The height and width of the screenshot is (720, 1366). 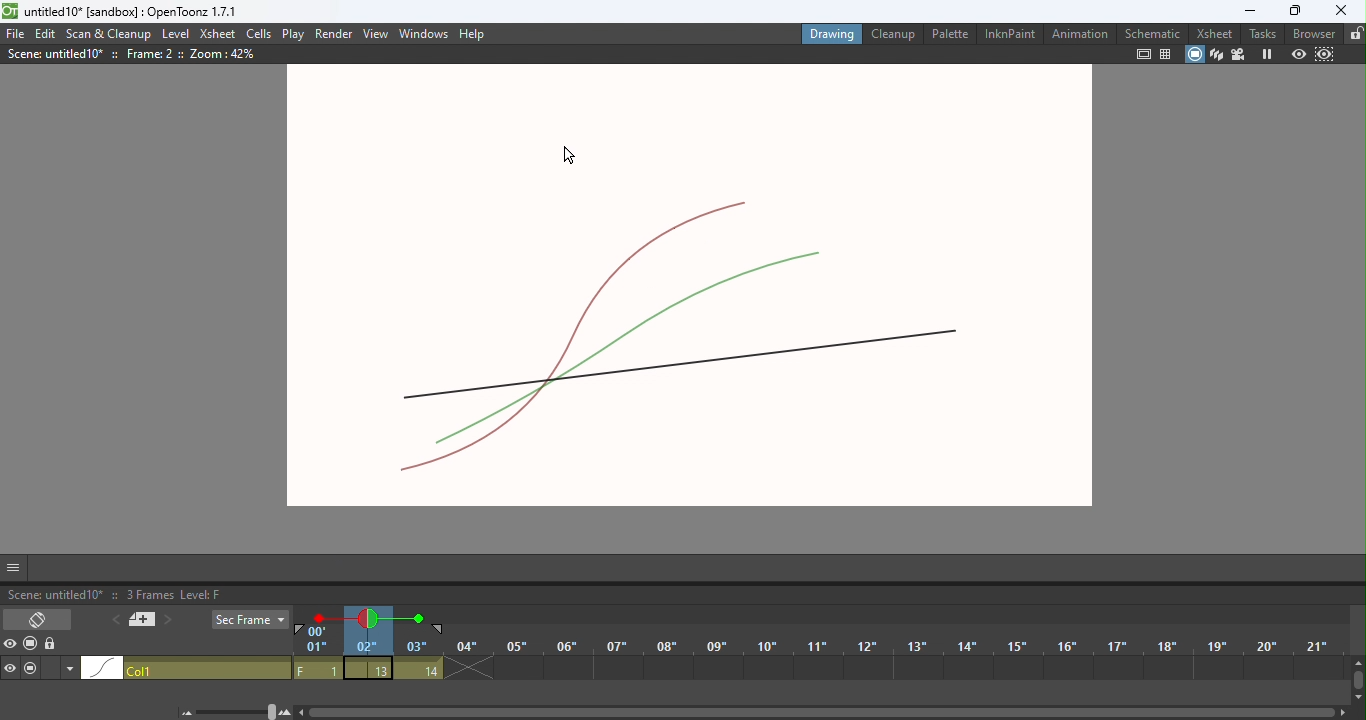 I want to click on camera stand view, so click(x=1194, y=55).